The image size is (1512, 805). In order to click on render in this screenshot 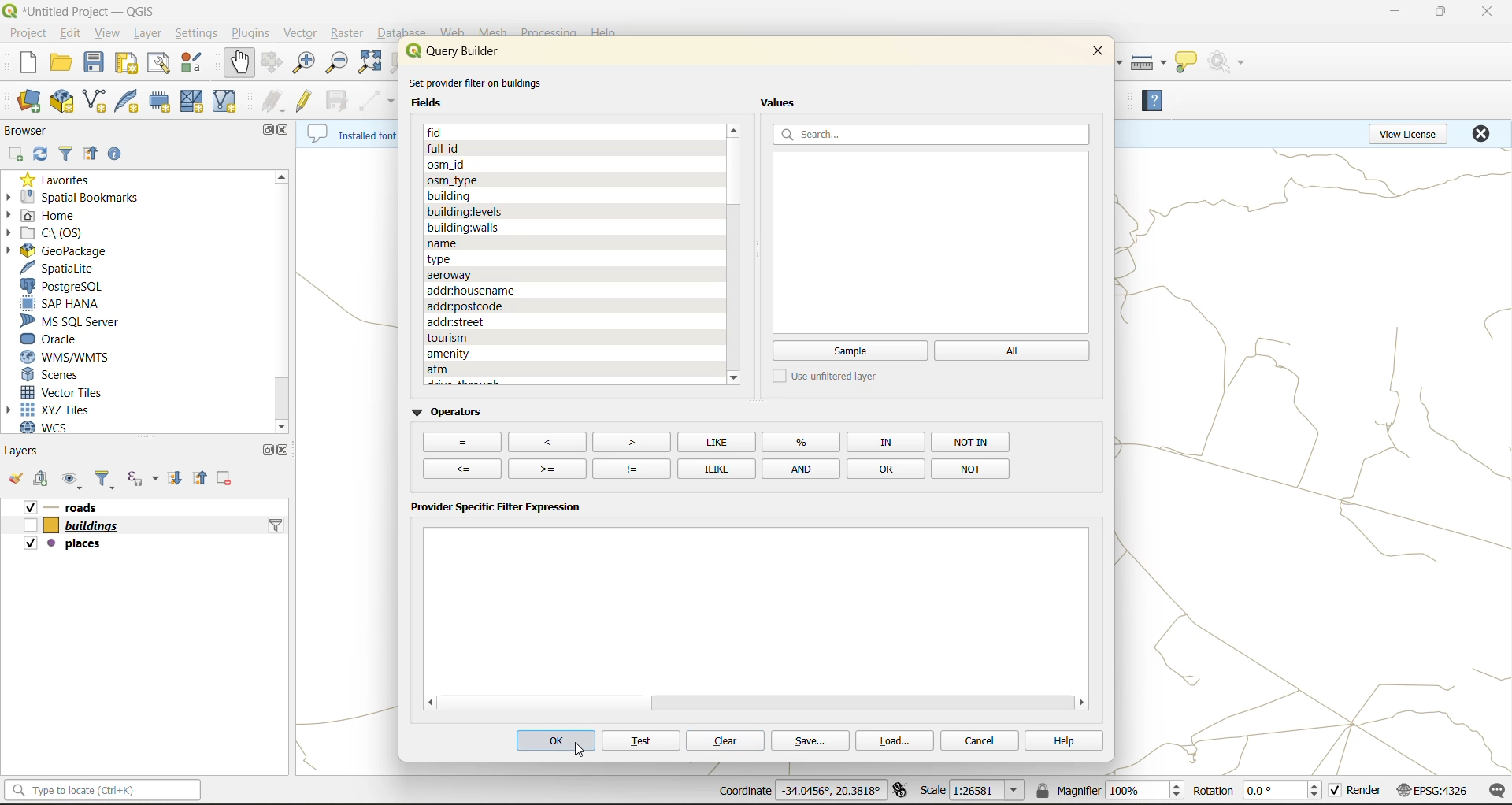, I will do `click(1356, 791)`.